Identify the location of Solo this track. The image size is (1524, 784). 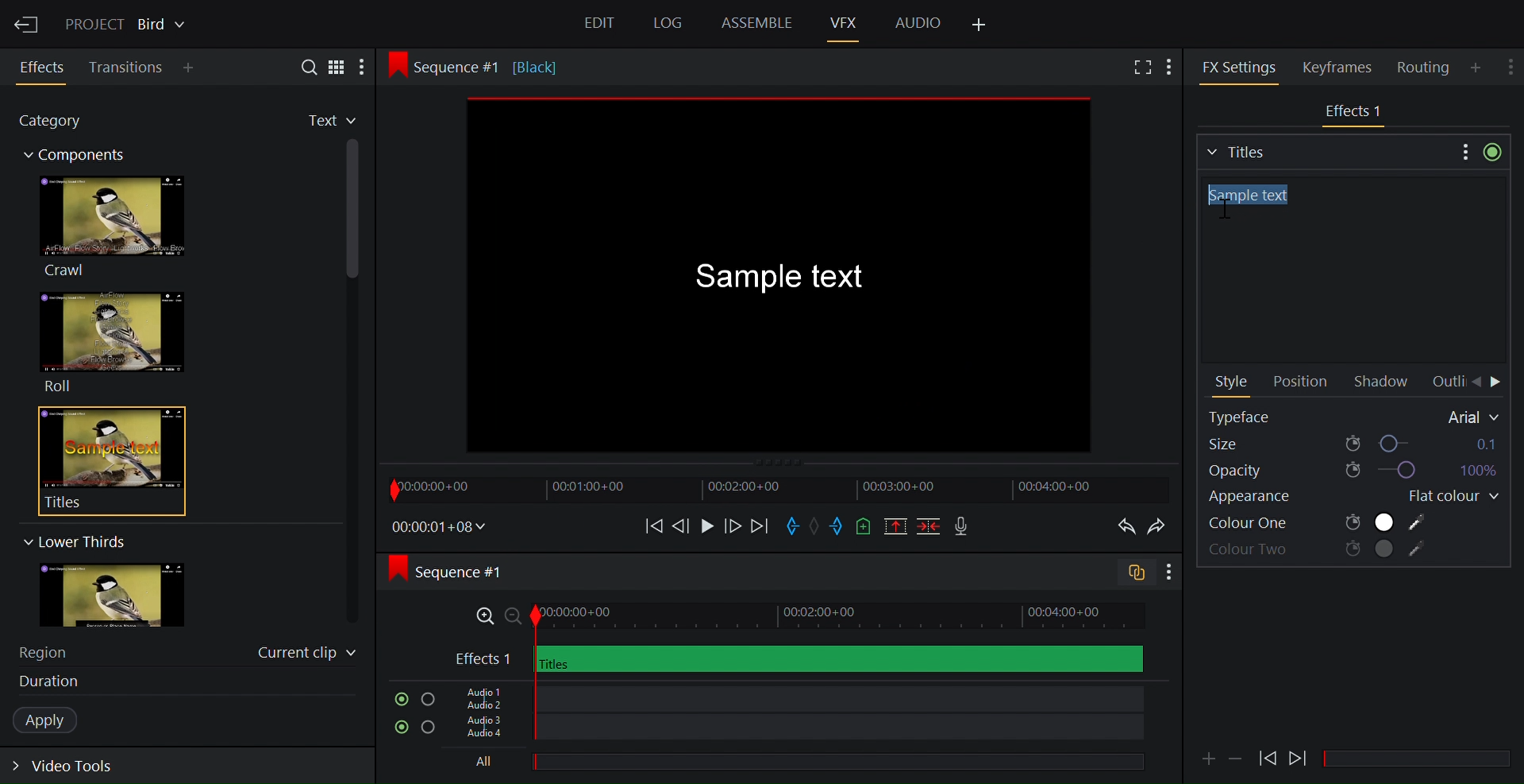
(429, 729).